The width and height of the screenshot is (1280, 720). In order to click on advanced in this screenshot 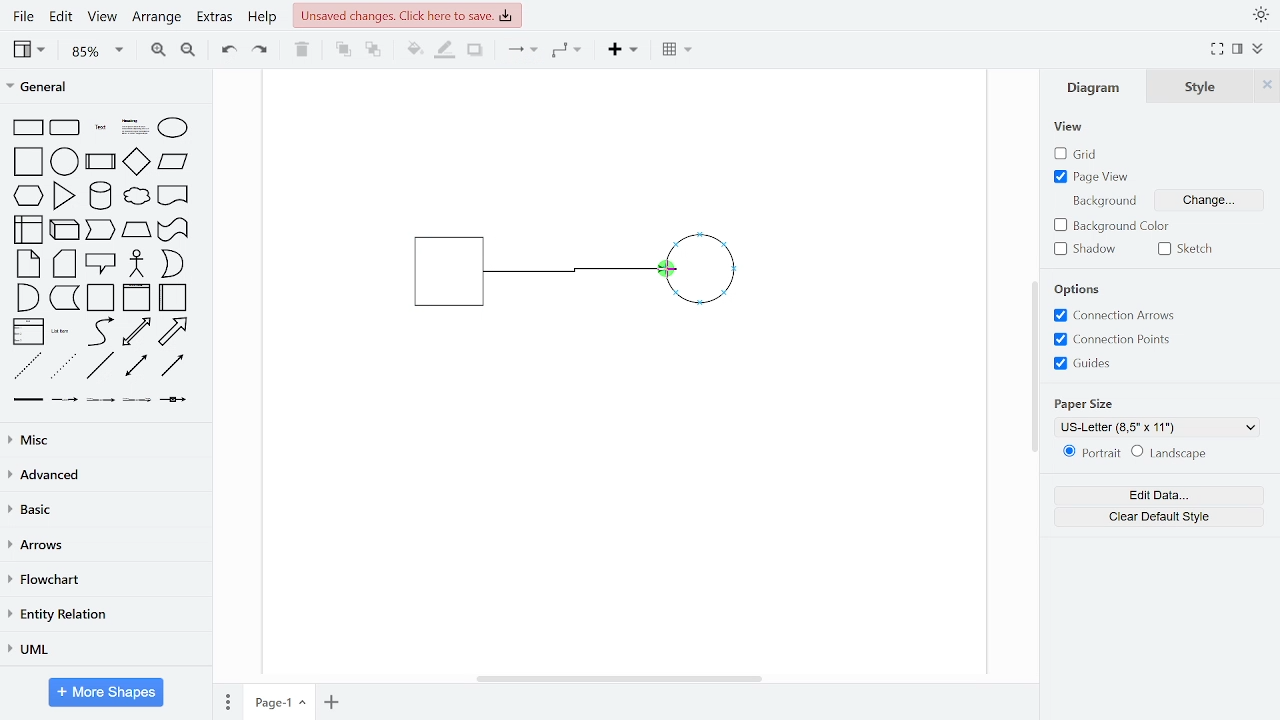, I will do `click(102, 474)`.